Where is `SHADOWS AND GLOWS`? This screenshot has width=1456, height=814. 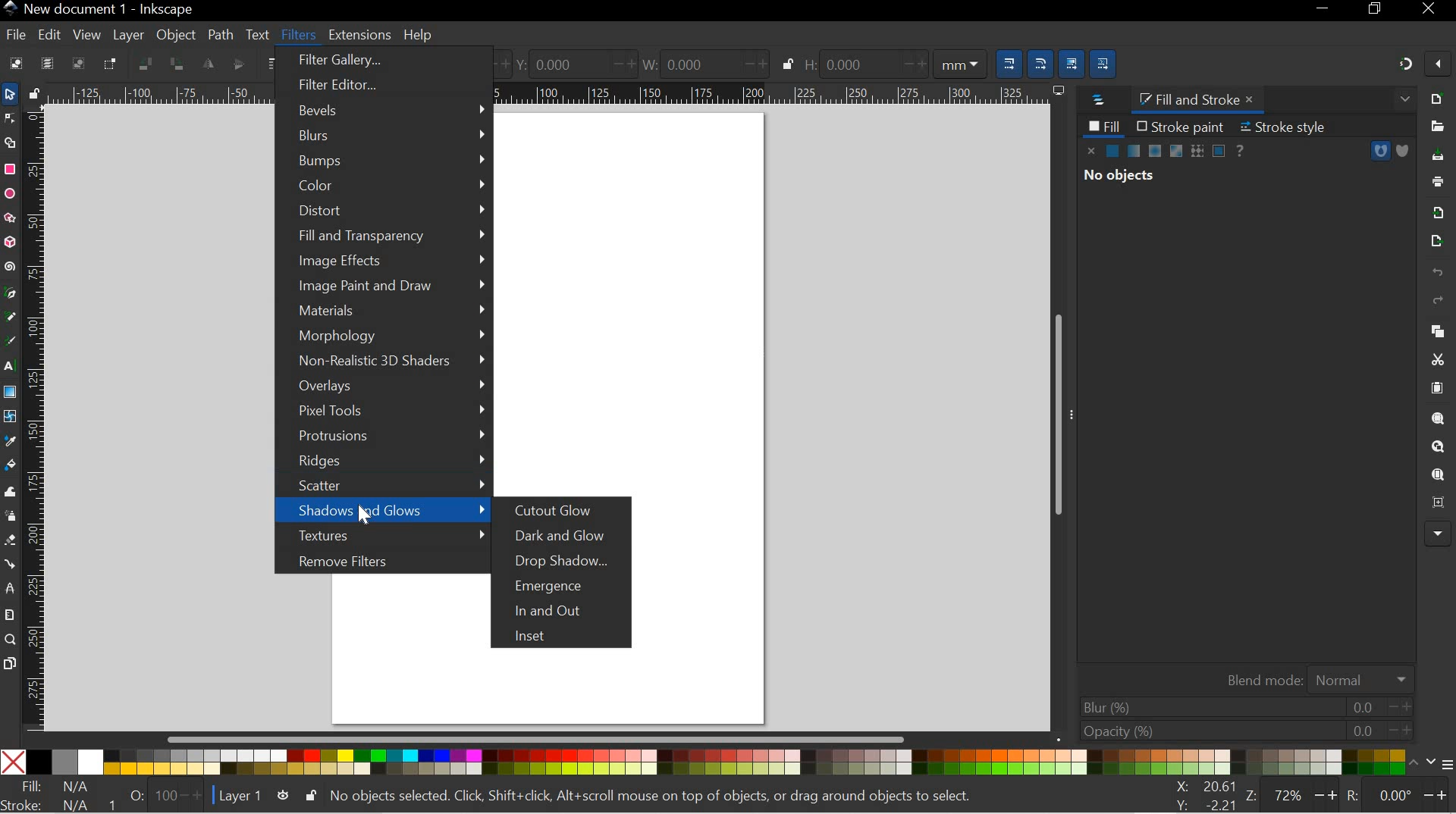
SHADOWS AND GLOWS is located at coordinates (383, 510).